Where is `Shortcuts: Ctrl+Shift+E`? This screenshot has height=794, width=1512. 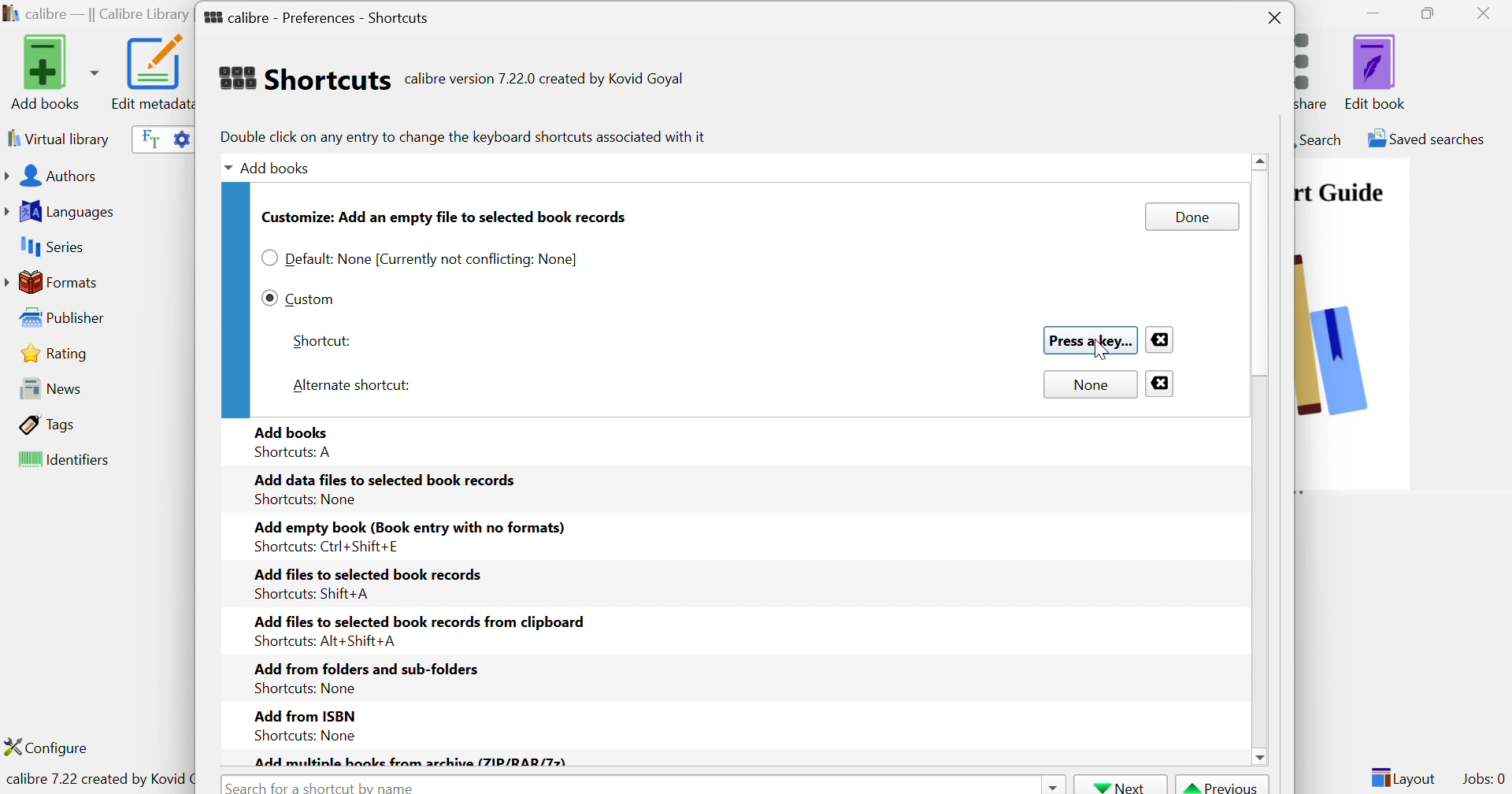
Shortcuts: Ctrl+Shift+E is located at coordinates (322, 547).